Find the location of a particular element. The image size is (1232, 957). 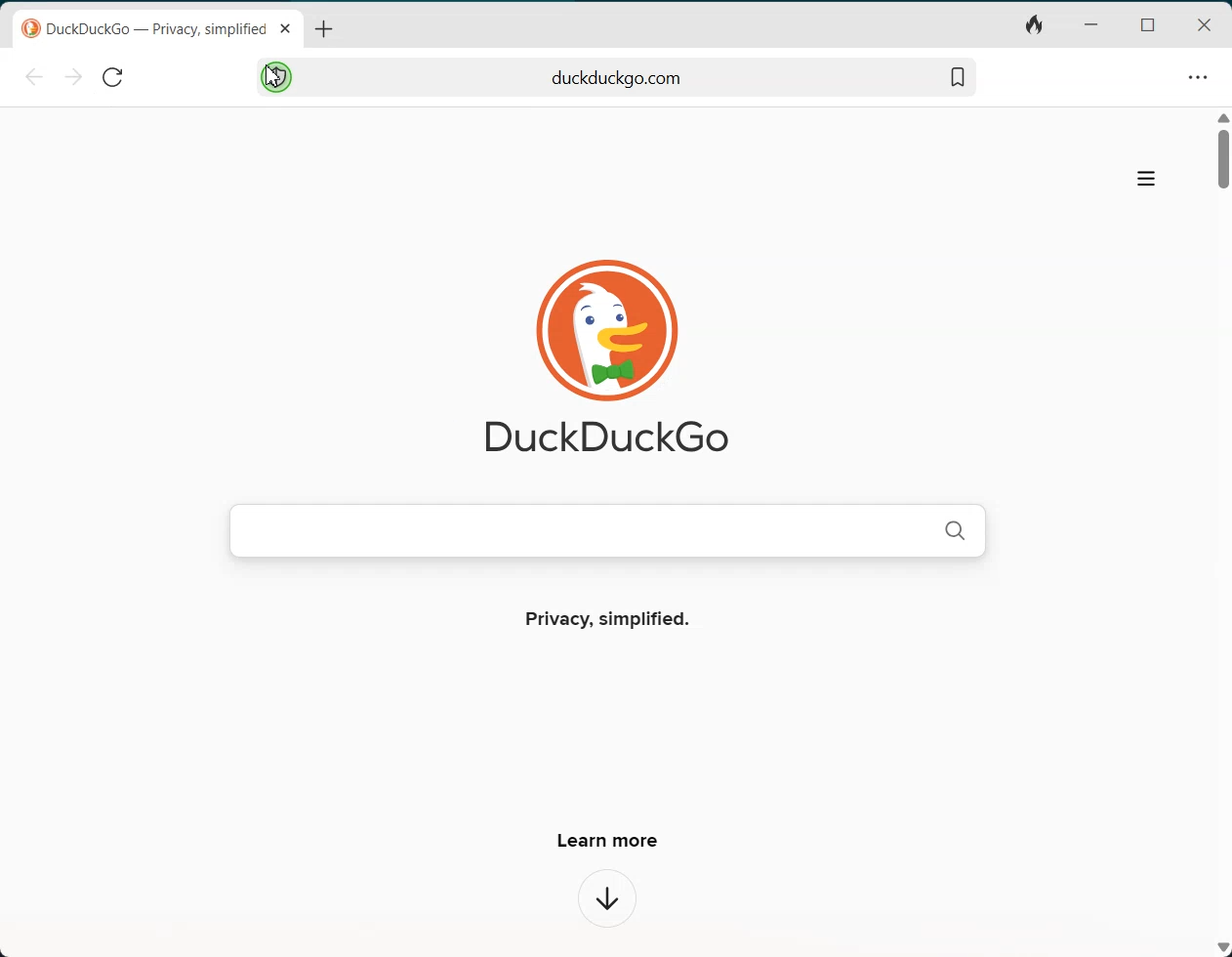

Close tab and clear data is located at coordinates (1033, 27).